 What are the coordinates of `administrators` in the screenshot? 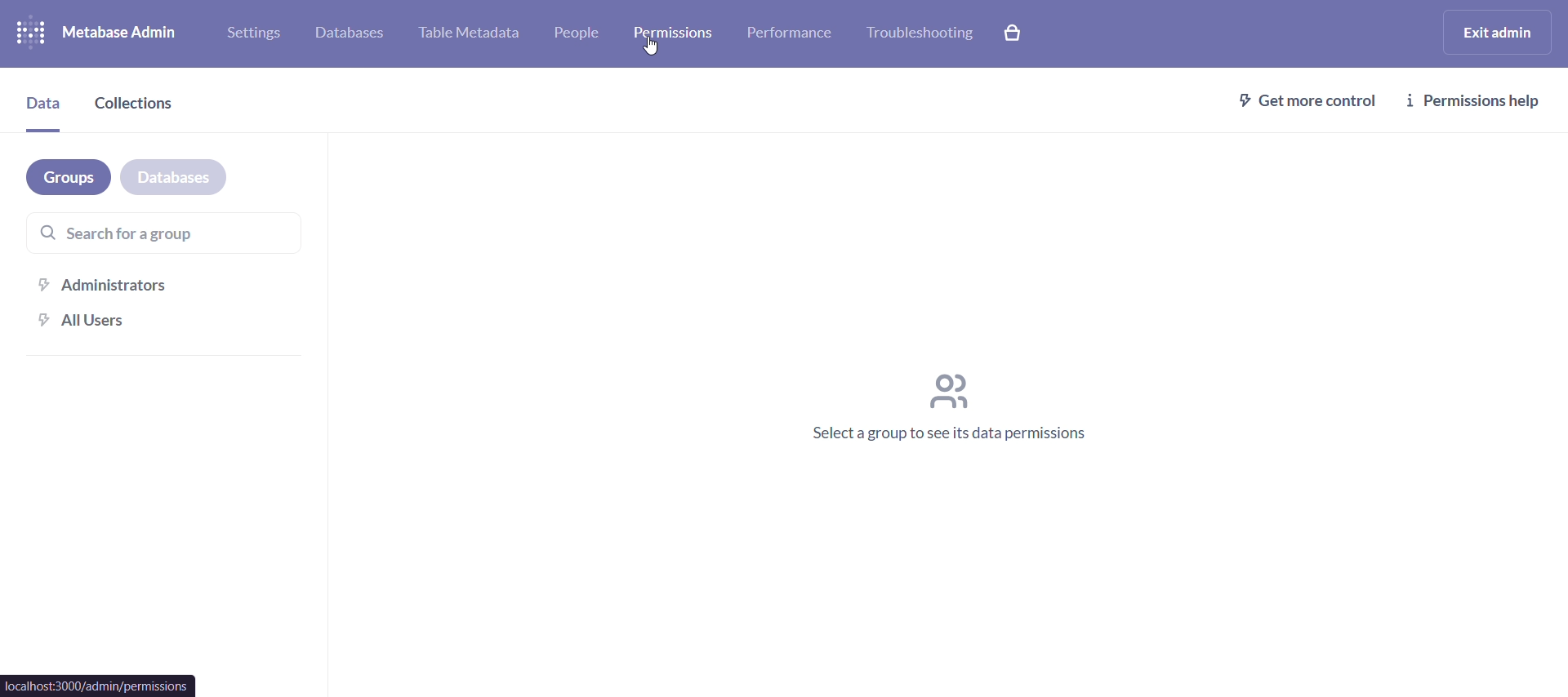 It's located at (174, 282).